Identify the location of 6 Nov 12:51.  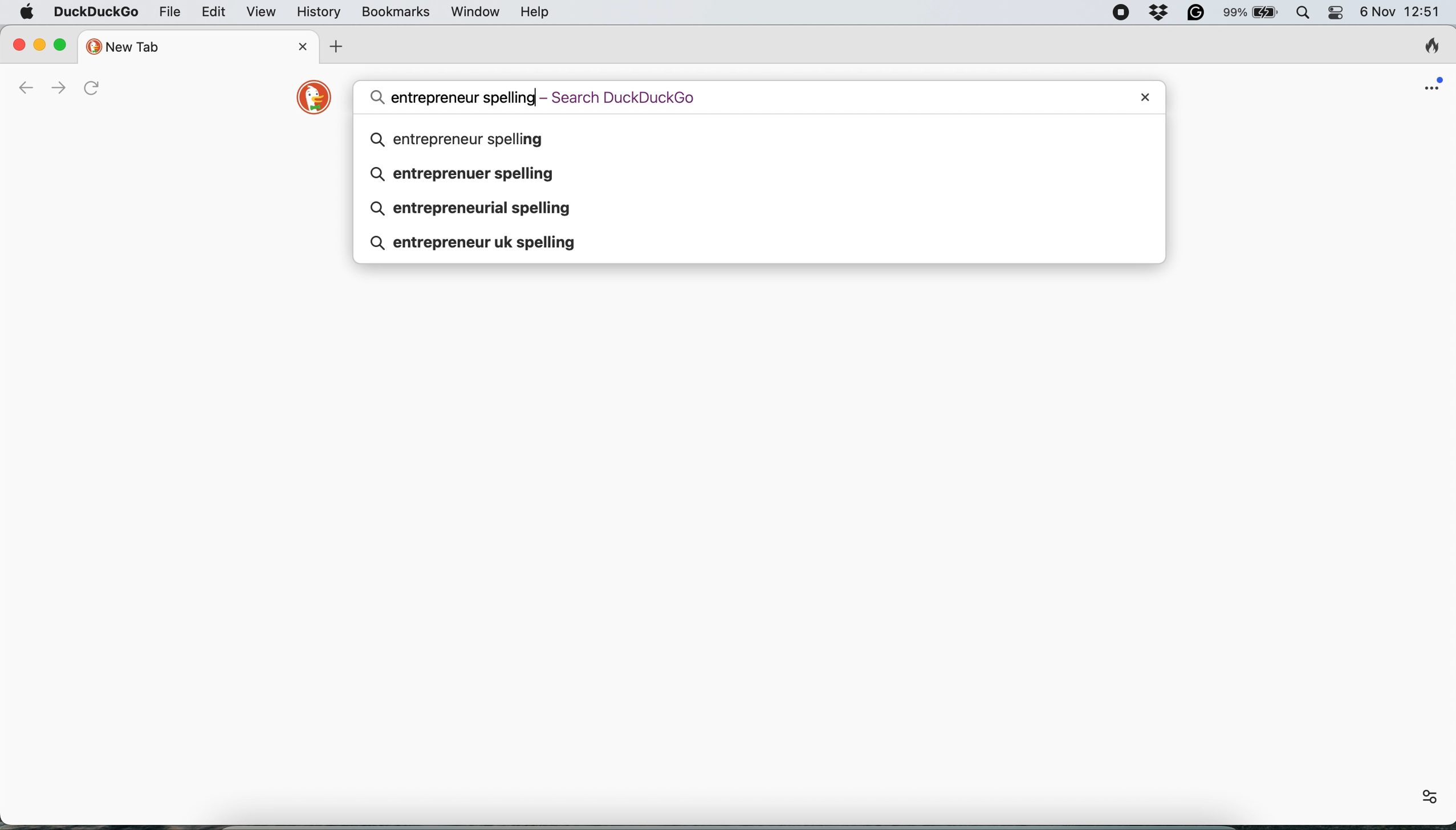
(1402, 13).